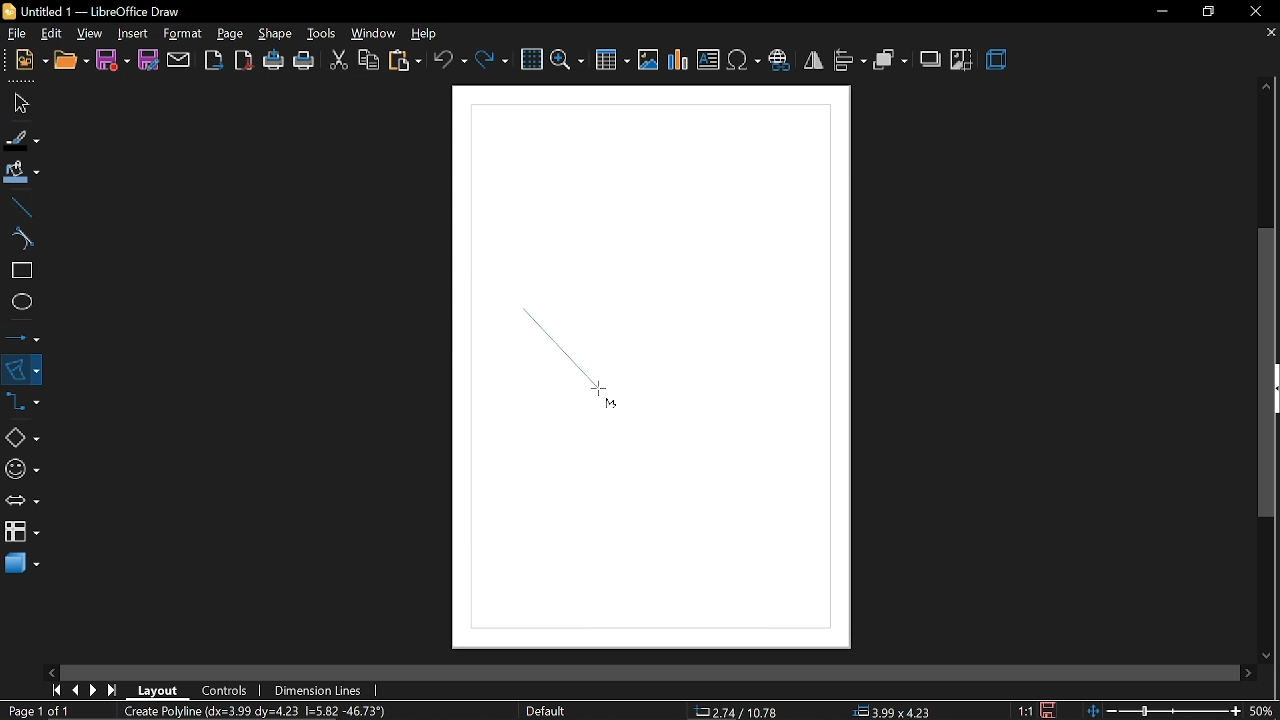 Image resolution: width=1280 pixels, height=720 pixels. What do you see at coordinates (849, 59) in the screenshot?
I see `align` at bounding box center [849, 59].